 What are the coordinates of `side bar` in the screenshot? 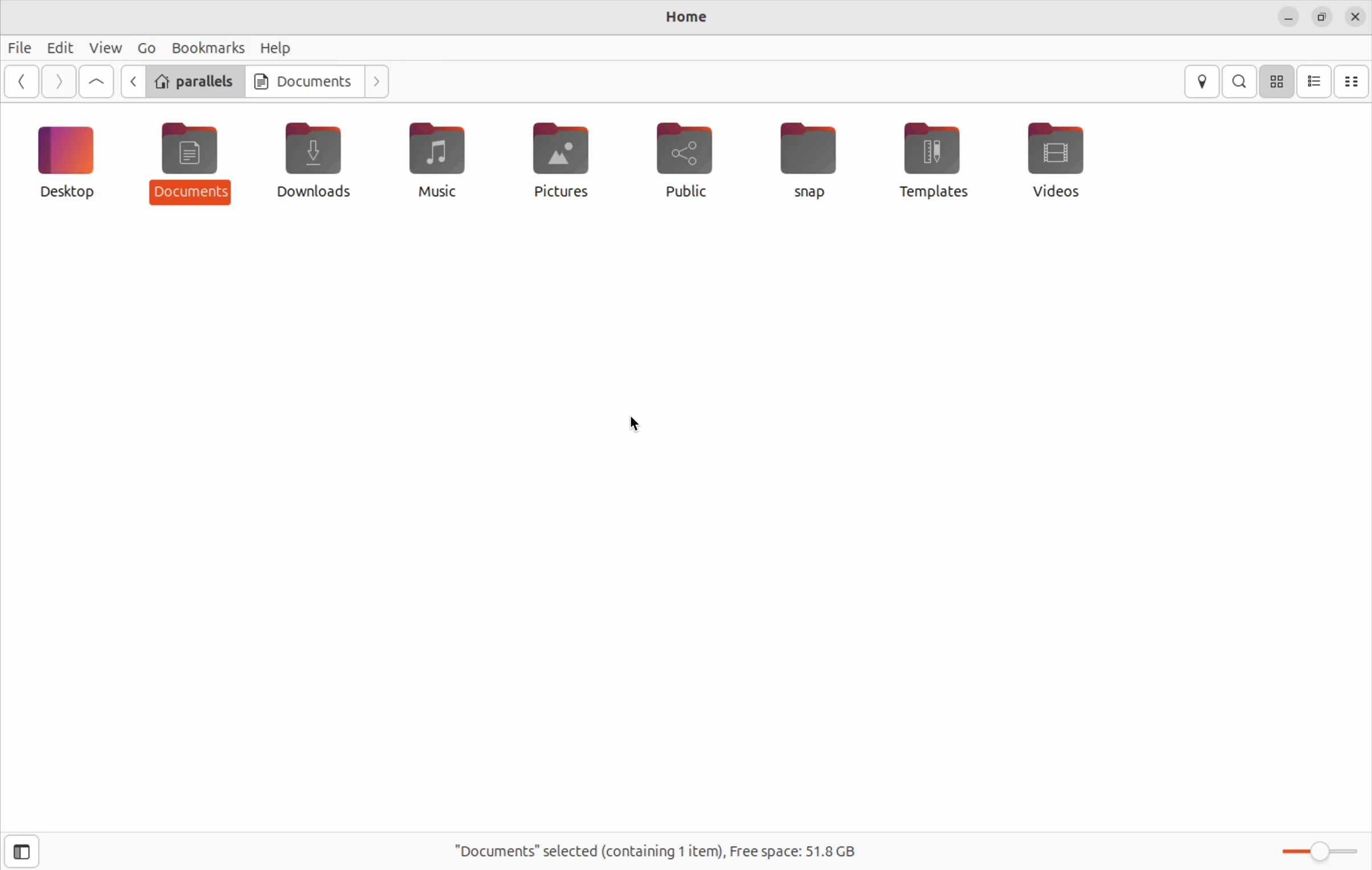 It's located at (28, 844).